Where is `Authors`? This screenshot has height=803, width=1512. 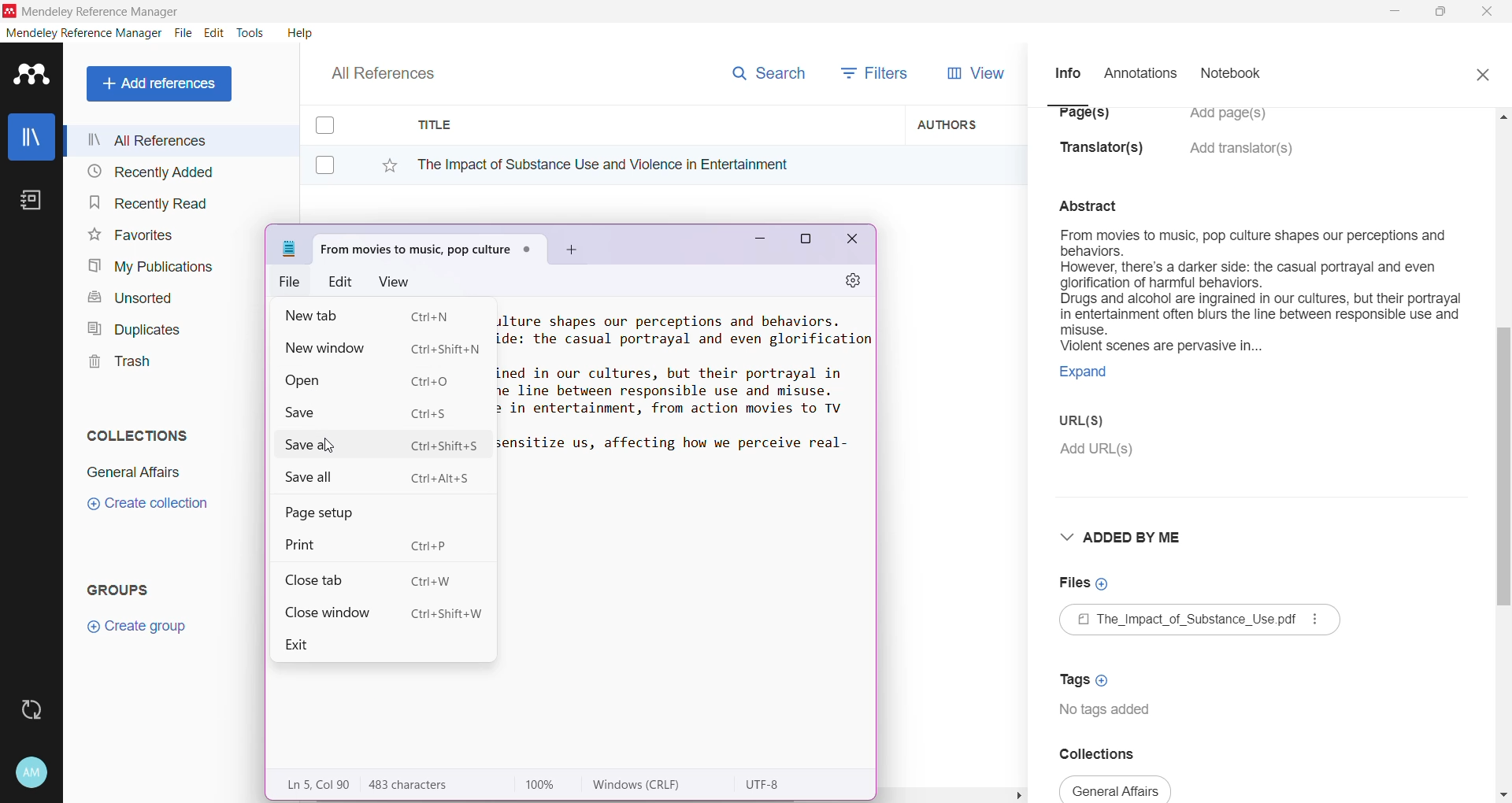 Authors is located at coordinates (966, 124).